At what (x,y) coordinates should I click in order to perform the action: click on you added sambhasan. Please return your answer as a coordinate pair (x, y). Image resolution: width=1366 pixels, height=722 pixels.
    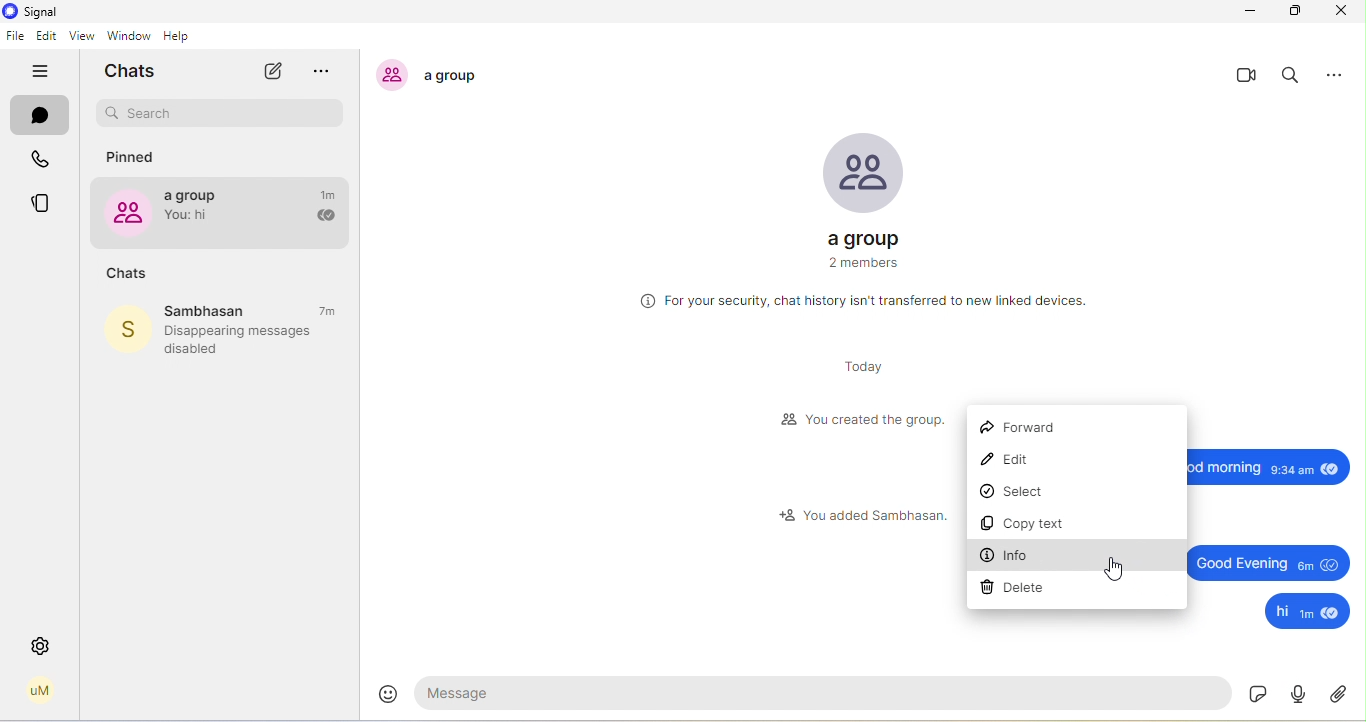
    Looking at the image, I should click on (861, 514).